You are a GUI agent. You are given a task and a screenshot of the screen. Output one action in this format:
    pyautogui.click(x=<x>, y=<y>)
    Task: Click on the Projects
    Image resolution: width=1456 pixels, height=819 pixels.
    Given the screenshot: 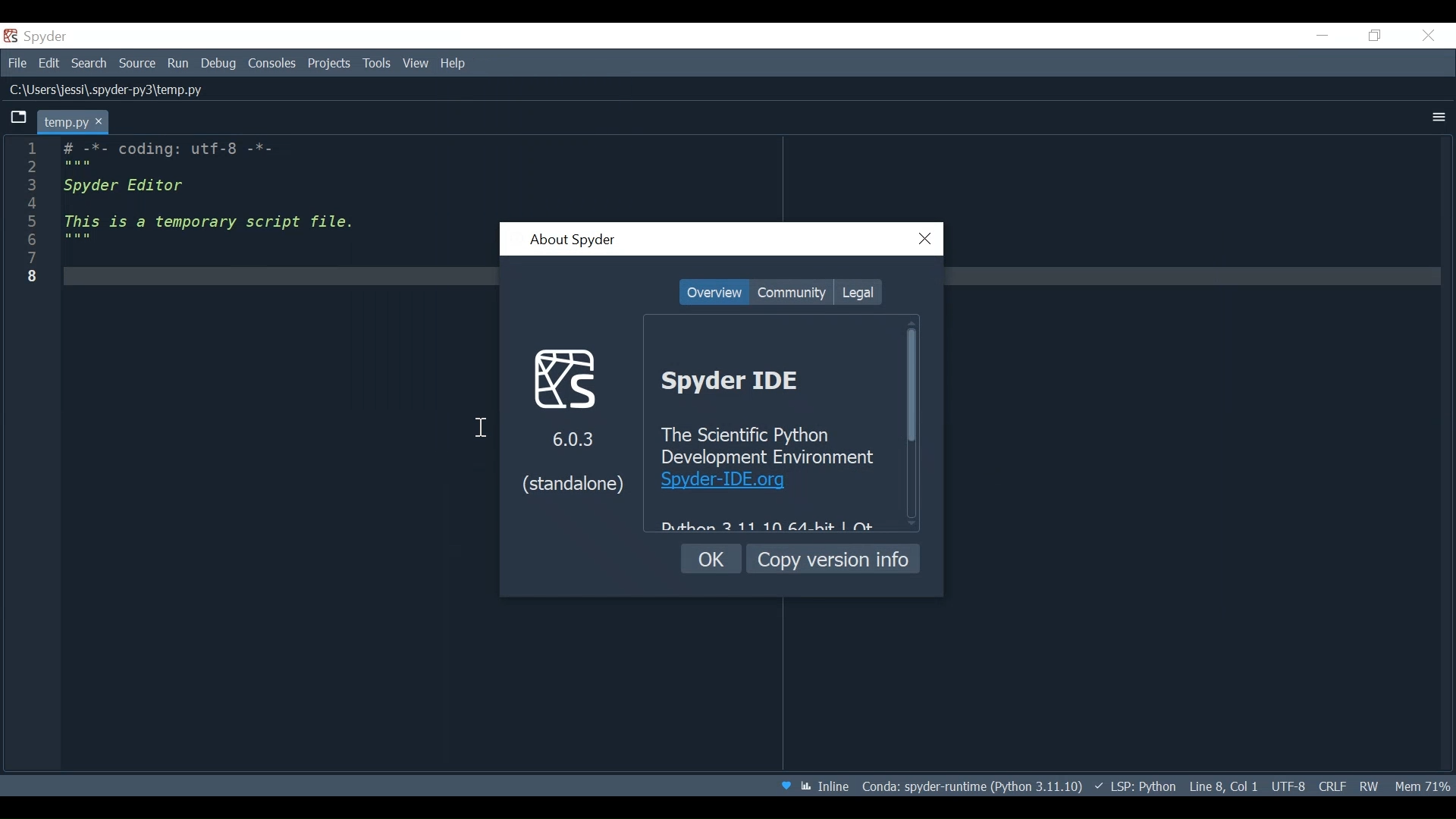 What is the action you would take?
    pyautogui.click(x=330, y=65)
    